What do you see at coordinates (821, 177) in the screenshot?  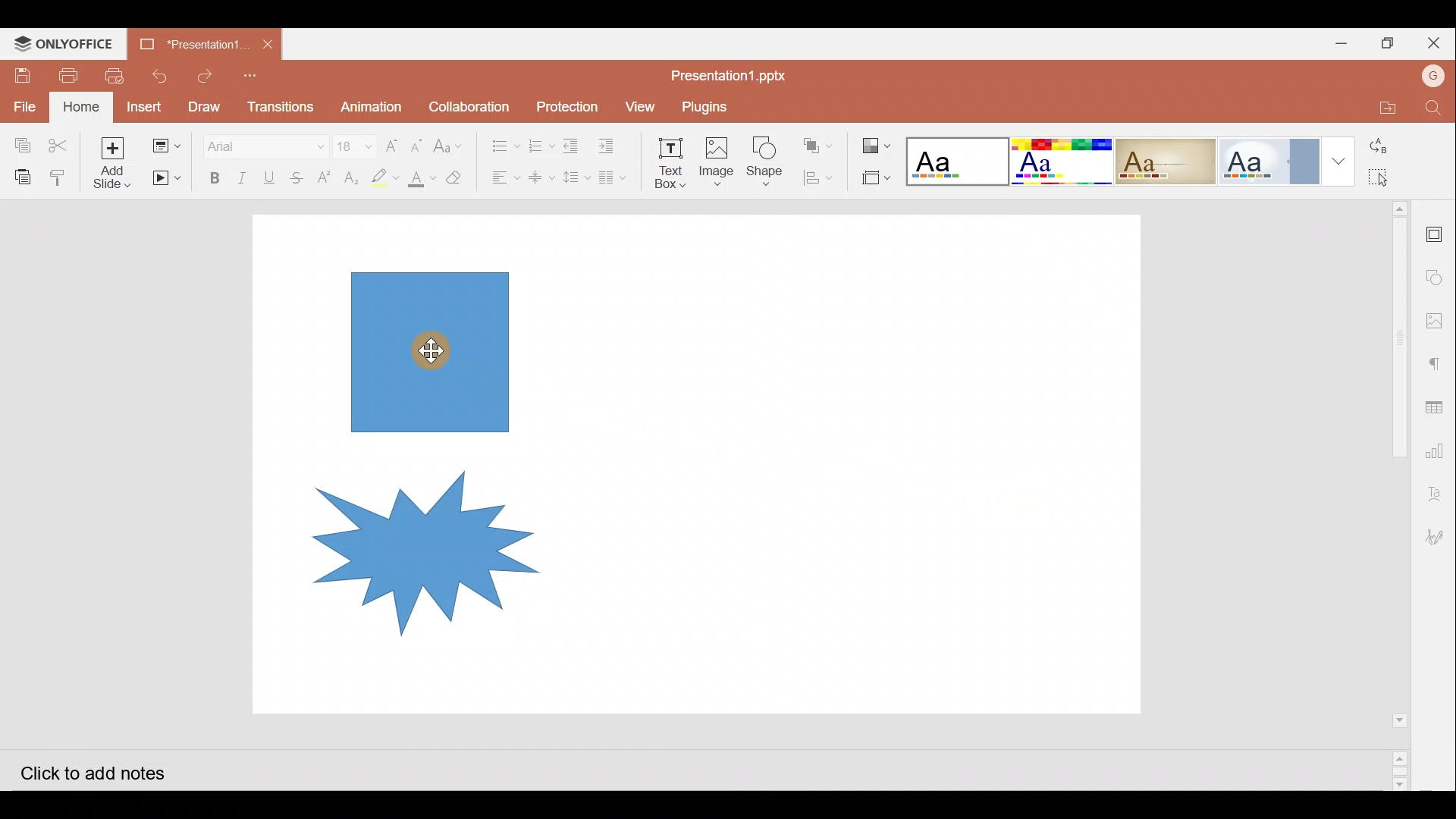 I see `Align shape` at bounding box center [821, 177].